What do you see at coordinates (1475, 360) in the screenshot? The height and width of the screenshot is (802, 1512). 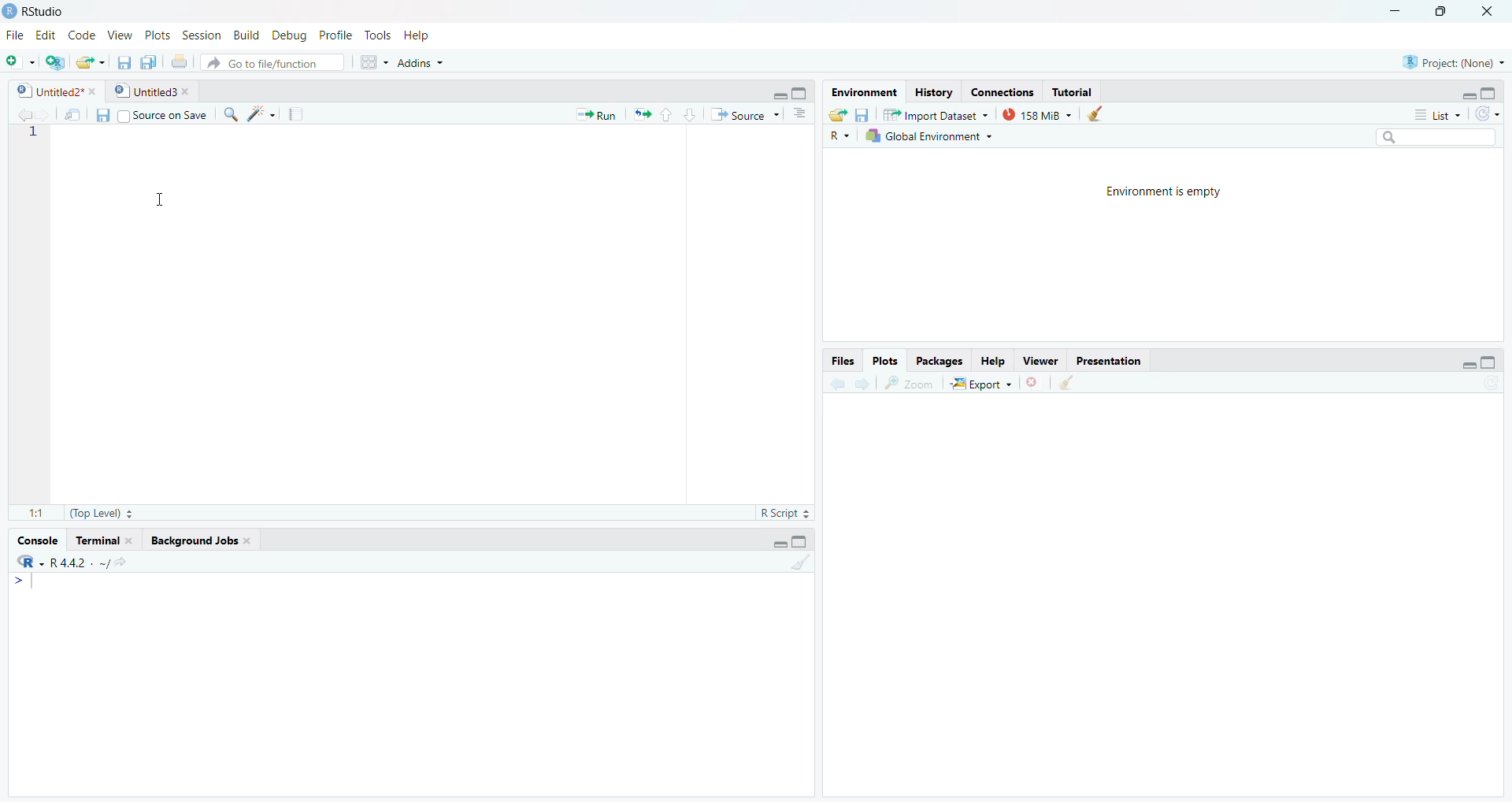 I see `Minimize/maximize` at bounding box center [1475, 360].